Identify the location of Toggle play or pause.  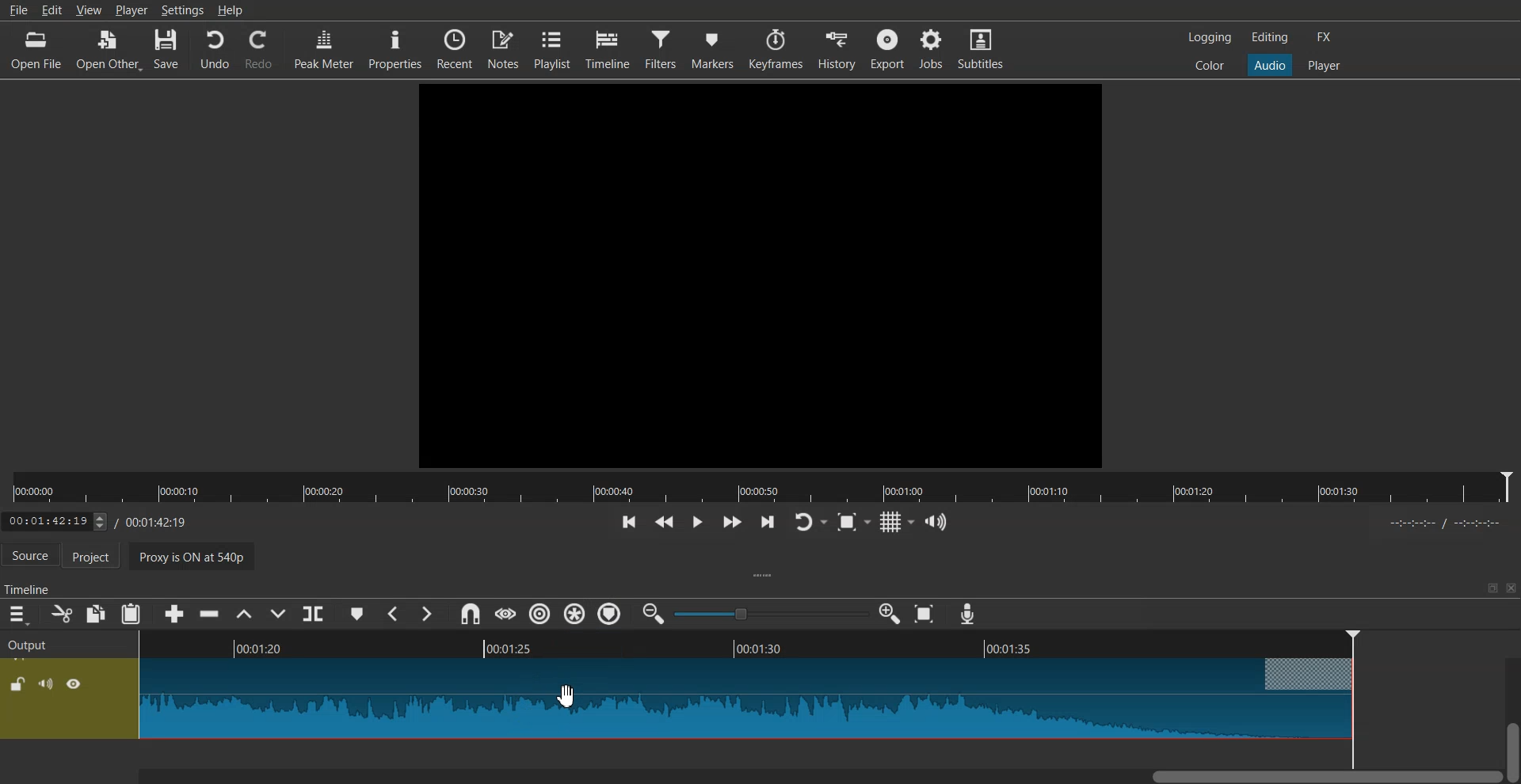
(697, 522).